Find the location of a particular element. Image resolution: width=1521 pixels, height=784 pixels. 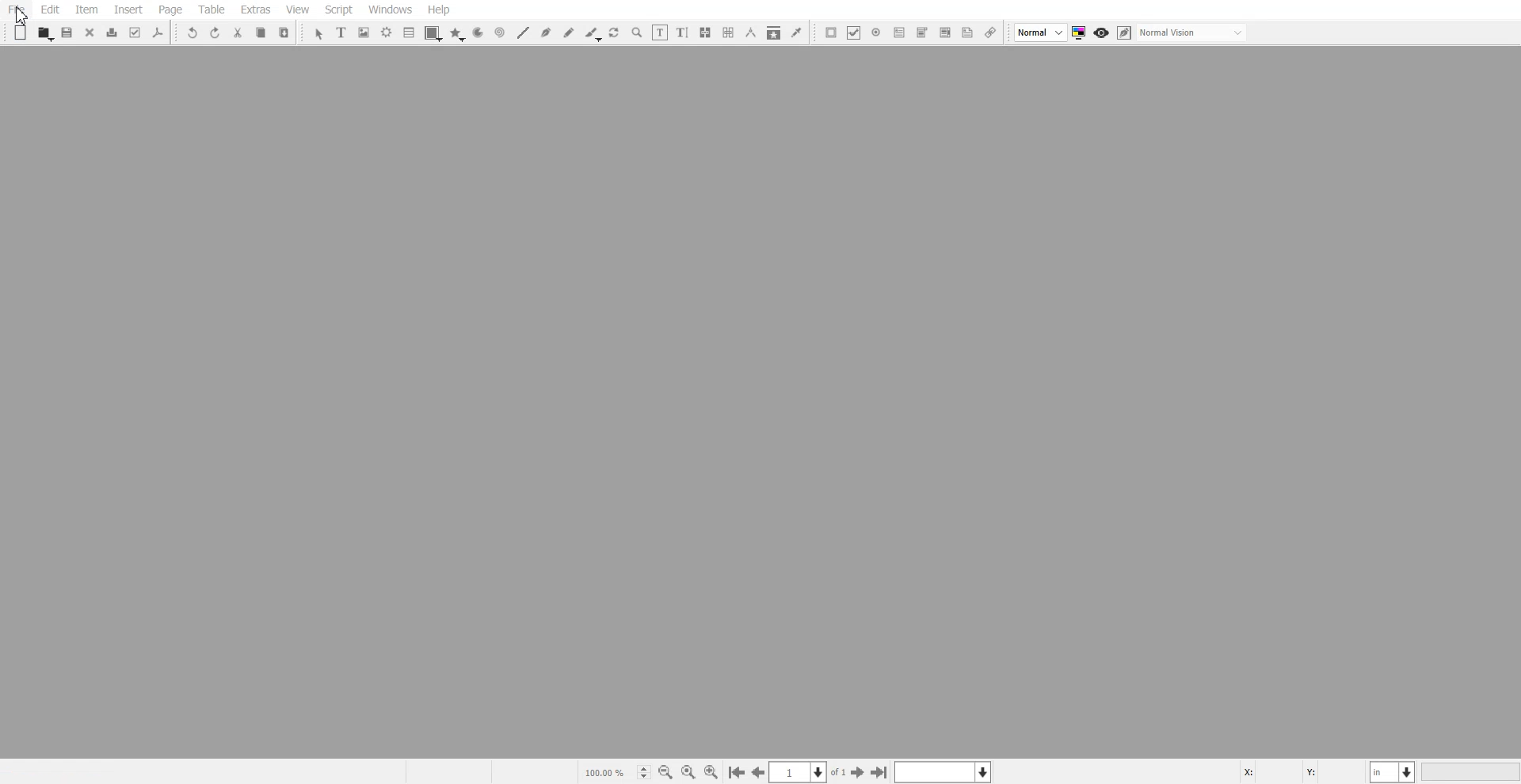

Save is located at coordinates (68, 32).